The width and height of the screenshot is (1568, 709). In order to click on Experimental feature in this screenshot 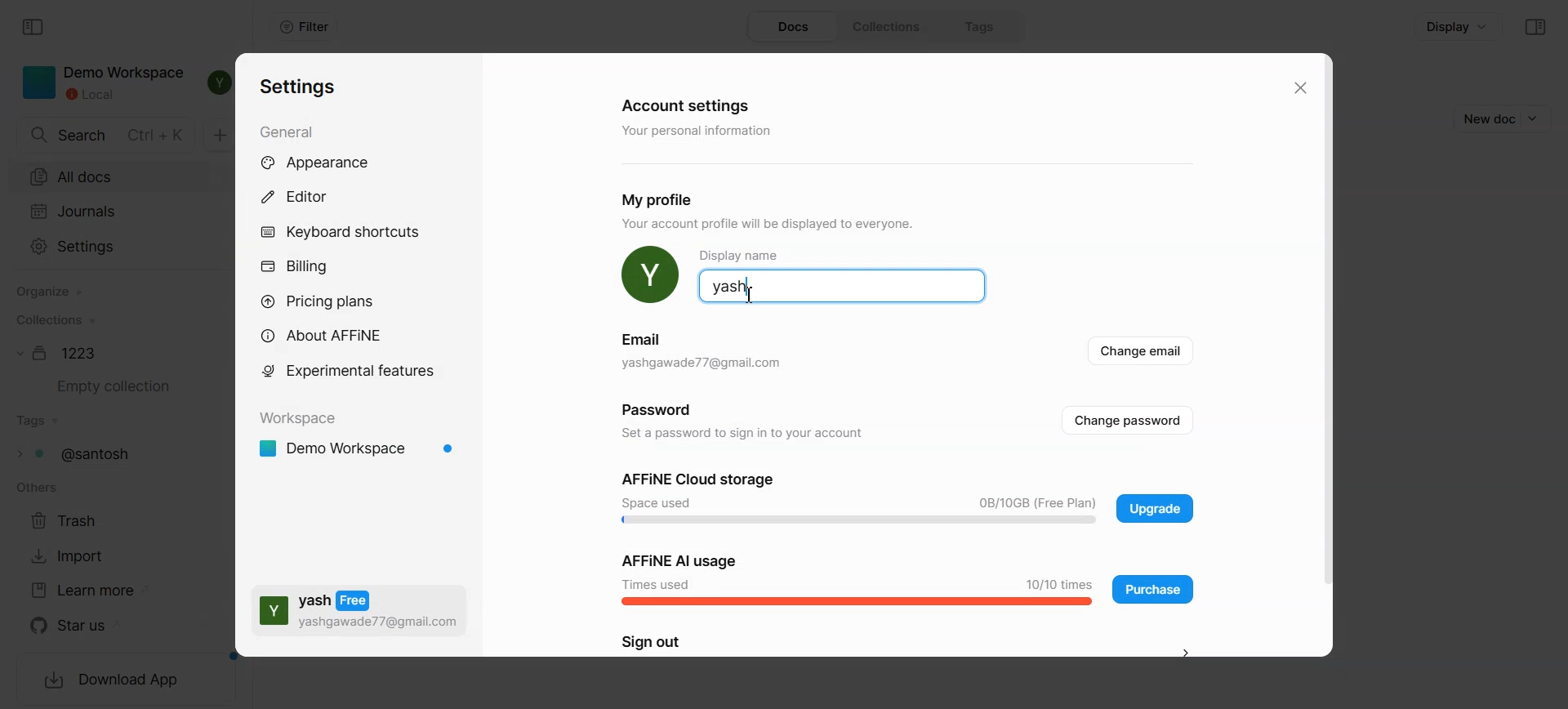, I will do `click(348, 370)`.